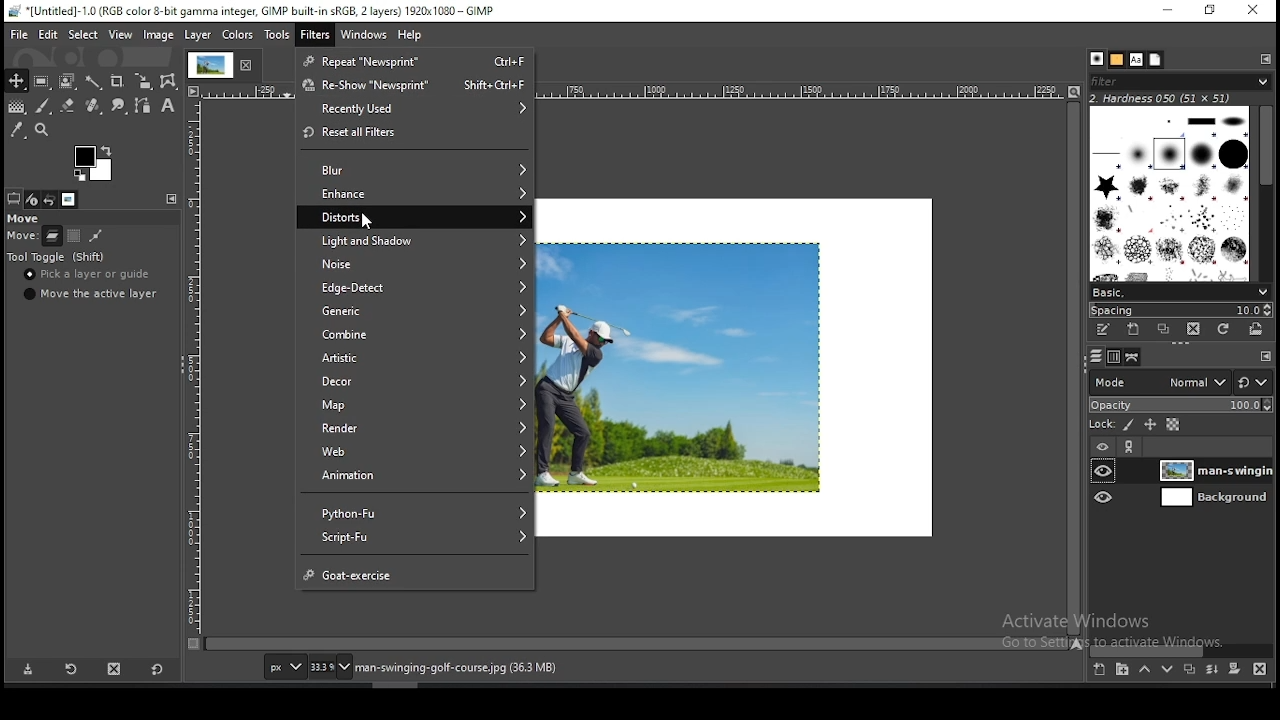  I want to click on paths tool, so click(141, 105).